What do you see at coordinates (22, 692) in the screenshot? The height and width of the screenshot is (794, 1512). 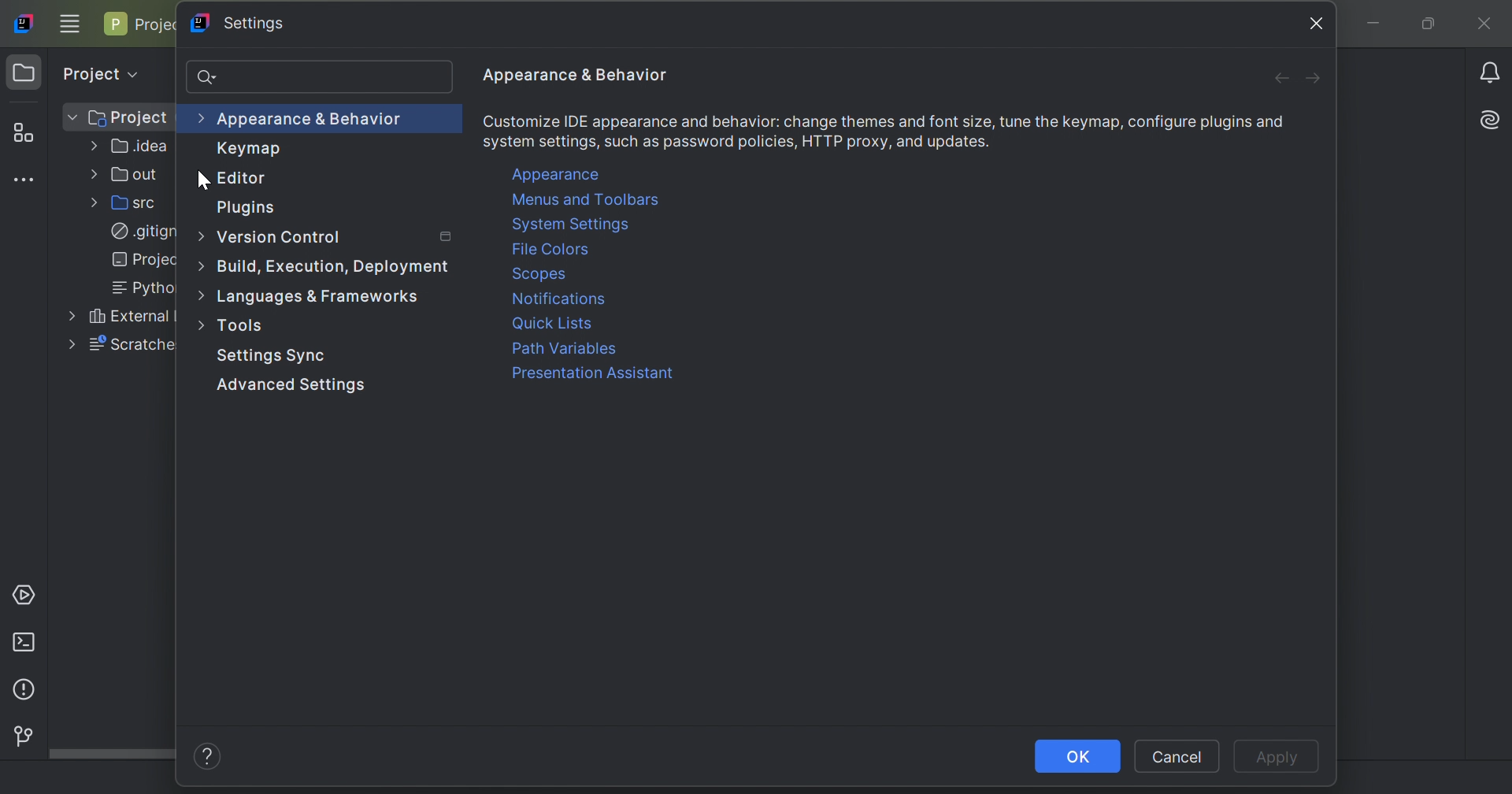 I see `Problems` at bounding box center [22, 692].